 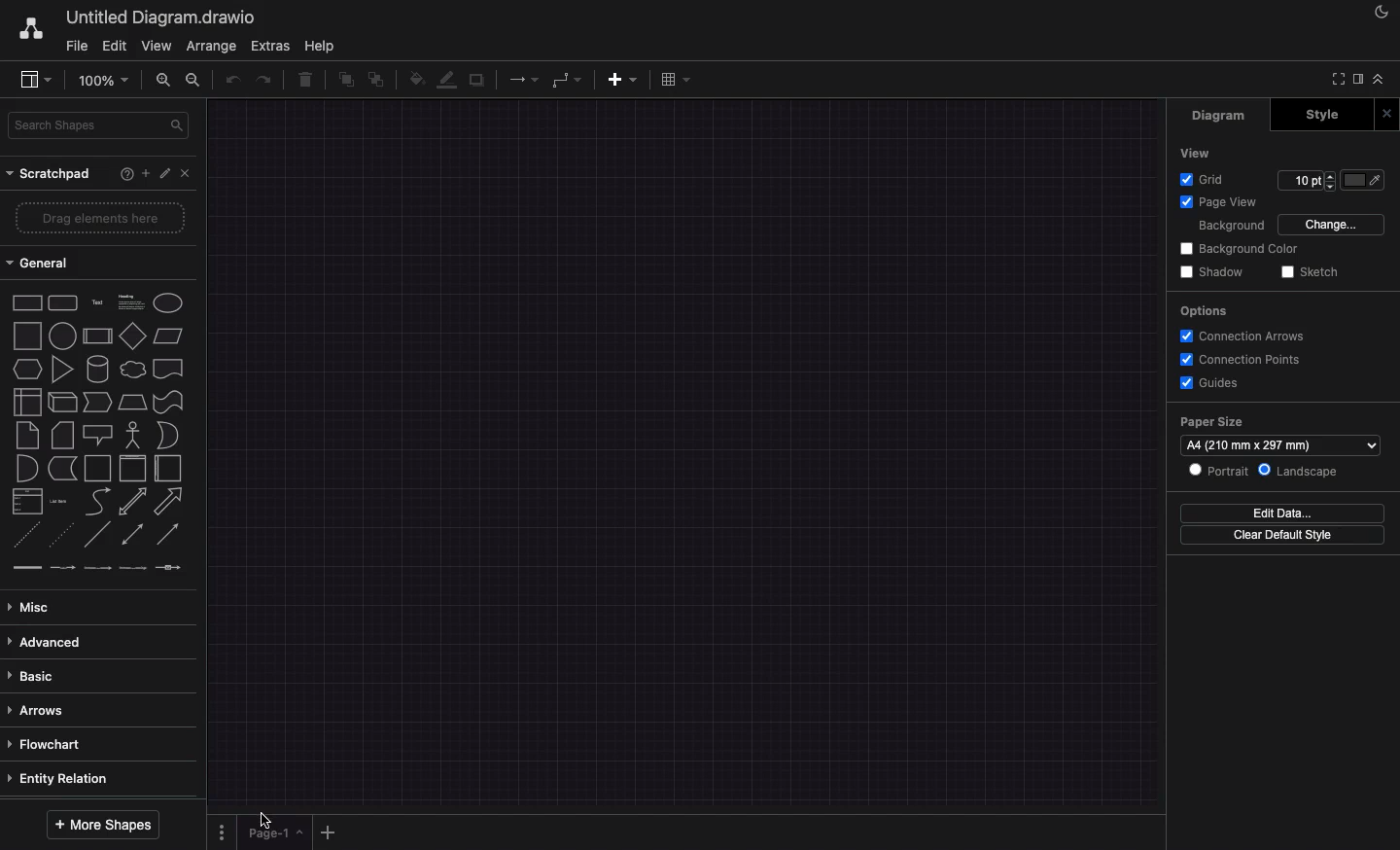 I want to click on untitled diagram. draw.io, so click(x=160, y=18).